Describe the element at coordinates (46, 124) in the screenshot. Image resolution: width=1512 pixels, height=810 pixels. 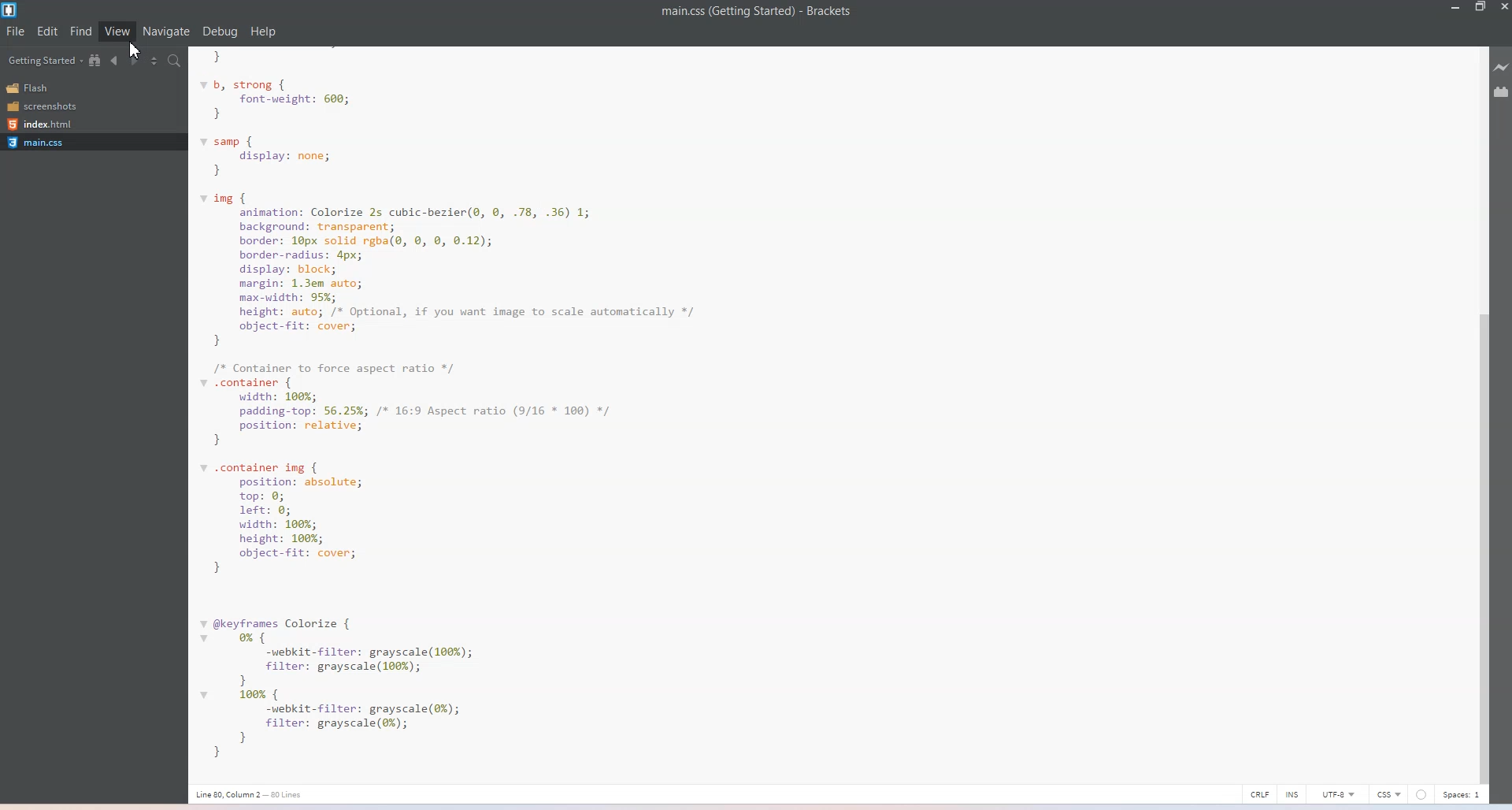
I see `Index.html` at that location.